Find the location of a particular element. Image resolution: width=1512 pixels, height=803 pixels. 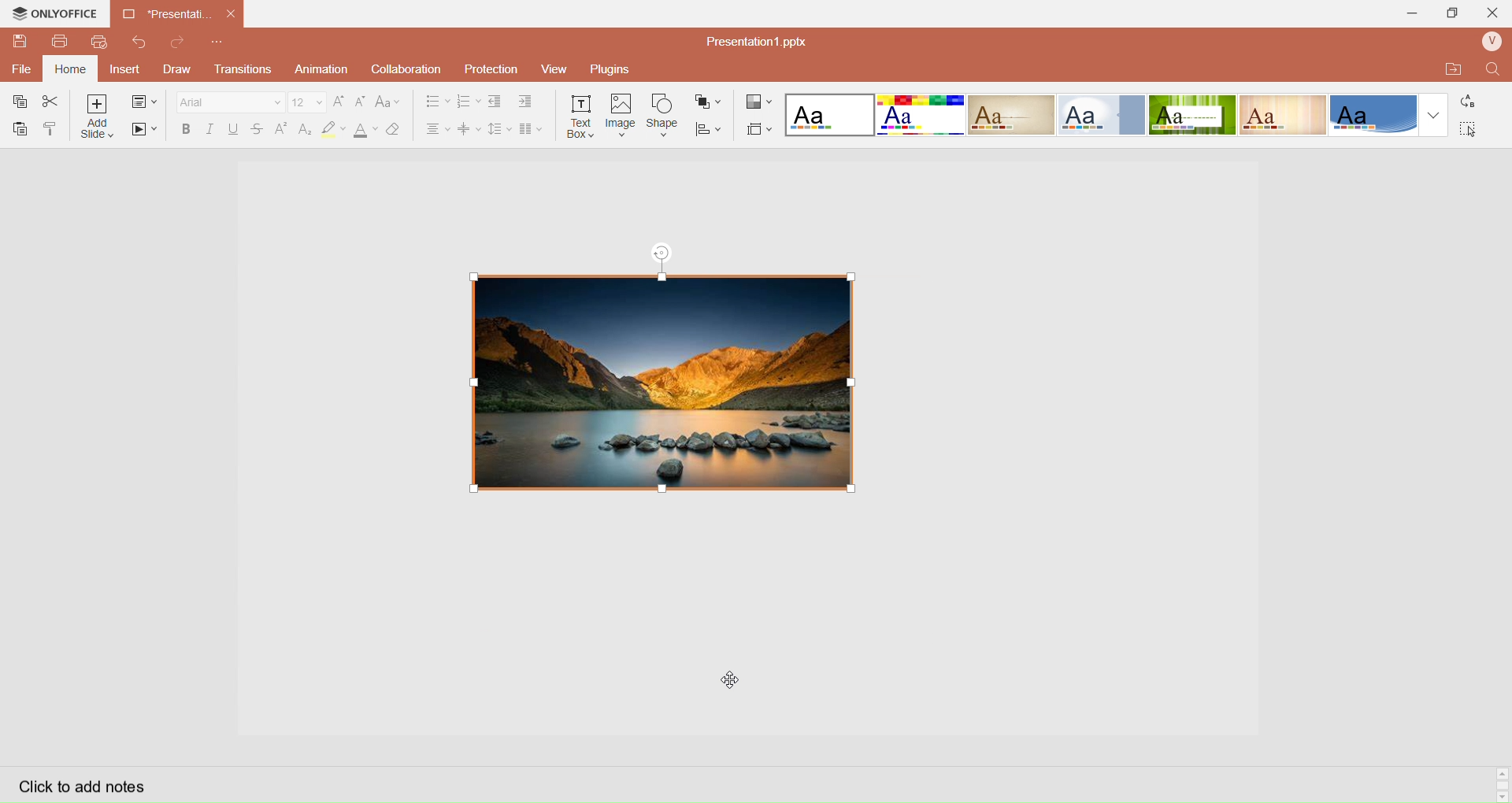

Select Slide Size is located at coordinates (759, 129).